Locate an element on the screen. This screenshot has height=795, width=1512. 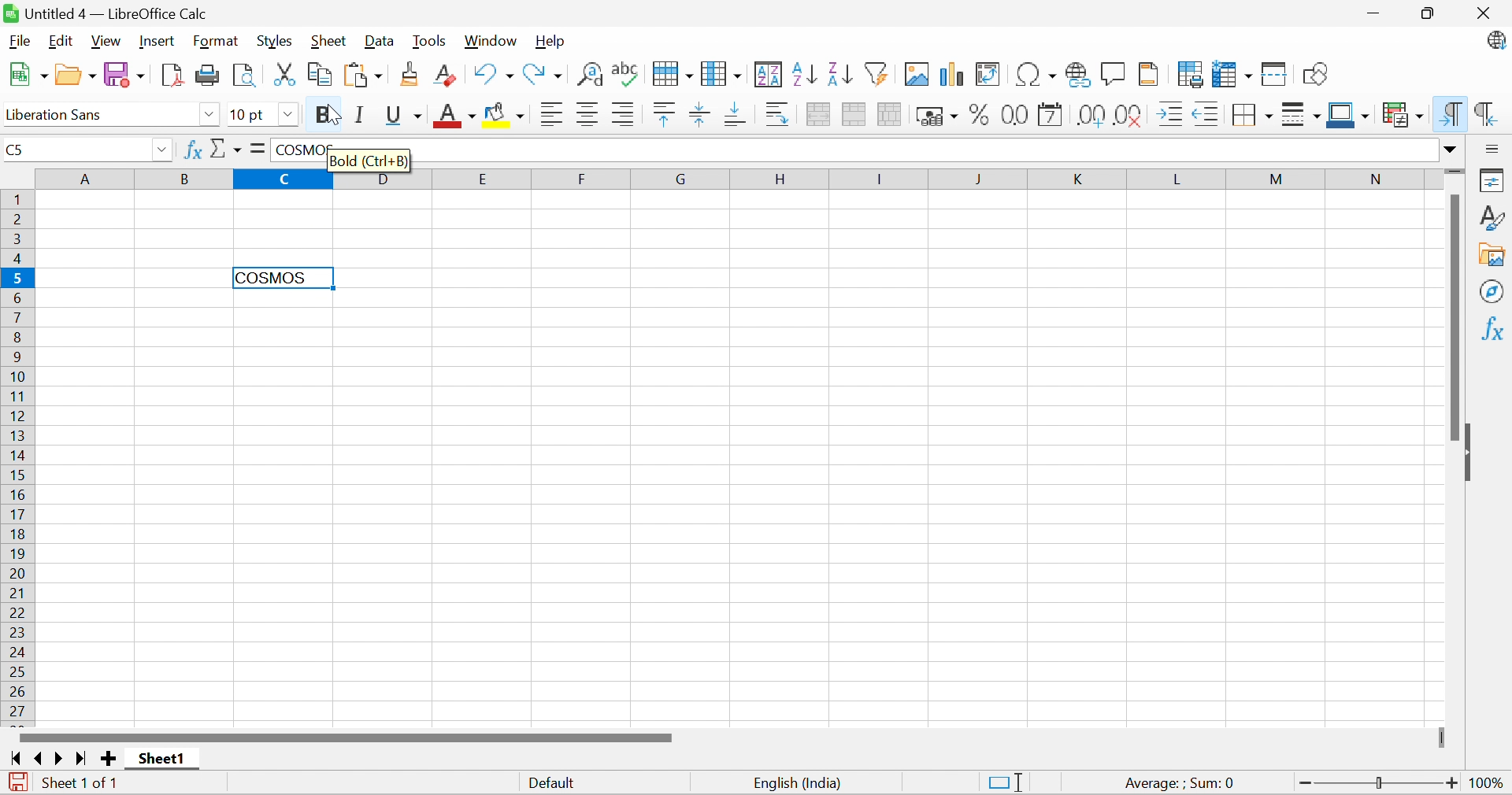
Navigator is located at coordinates (1494, 293).